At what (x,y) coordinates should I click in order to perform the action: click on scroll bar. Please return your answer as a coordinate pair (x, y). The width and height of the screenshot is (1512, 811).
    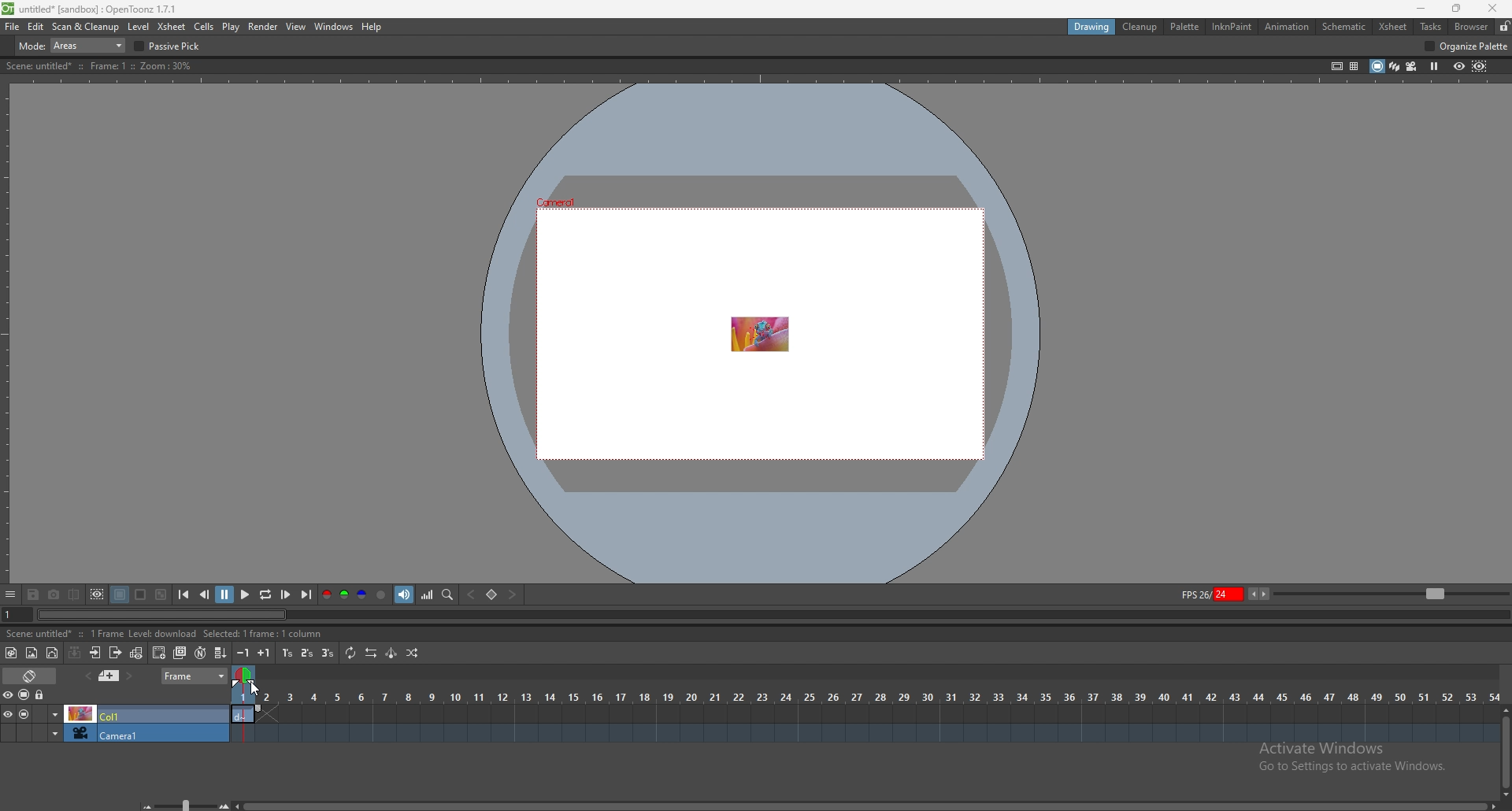
    Looking at the image, I should click on (865, 805).